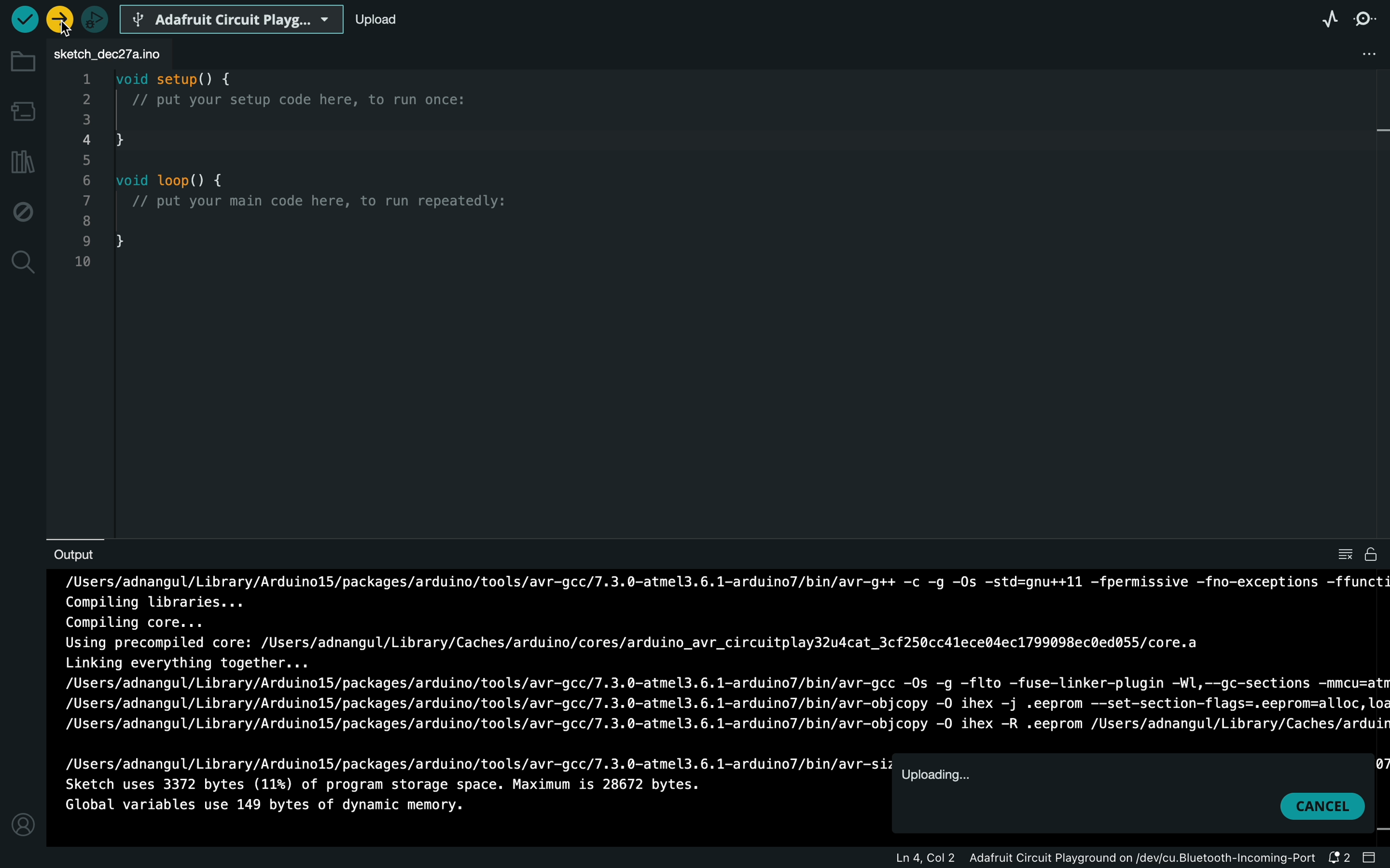  I want to click on serial plotter, so click(1325, 19).